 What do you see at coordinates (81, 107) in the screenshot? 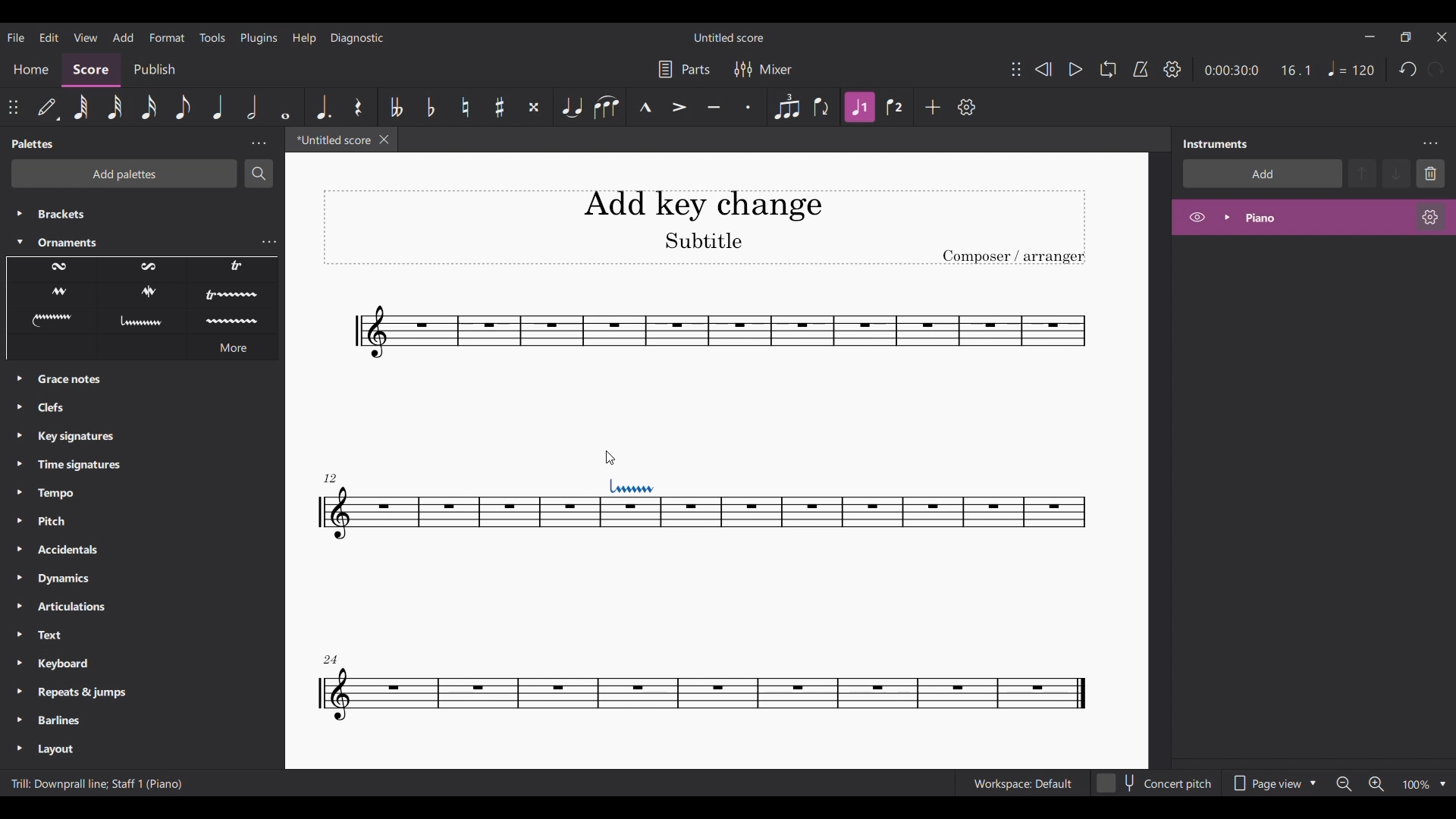
I see `64th note` at bounding box center [81, 107].